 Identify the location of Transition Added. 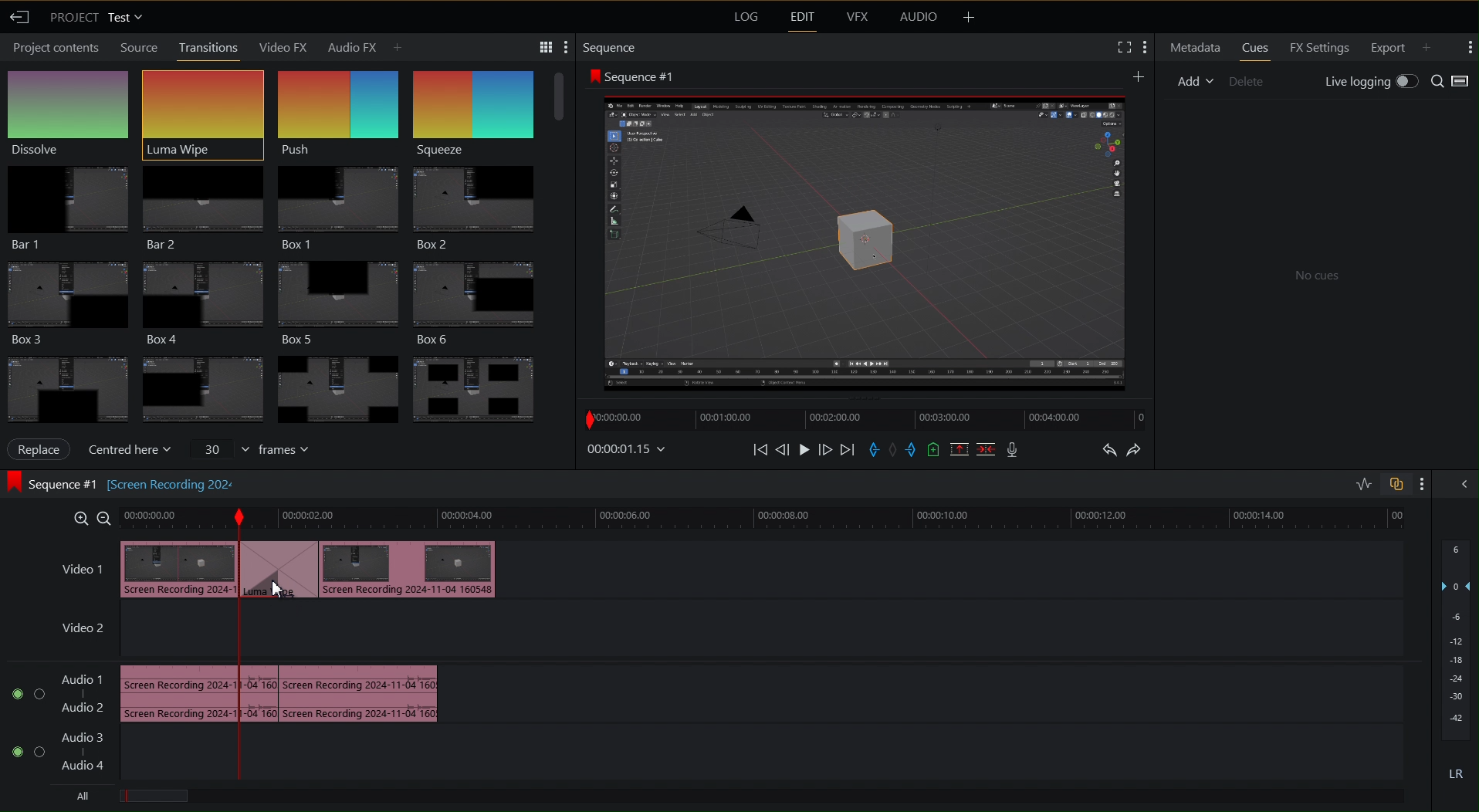
(316, 568).